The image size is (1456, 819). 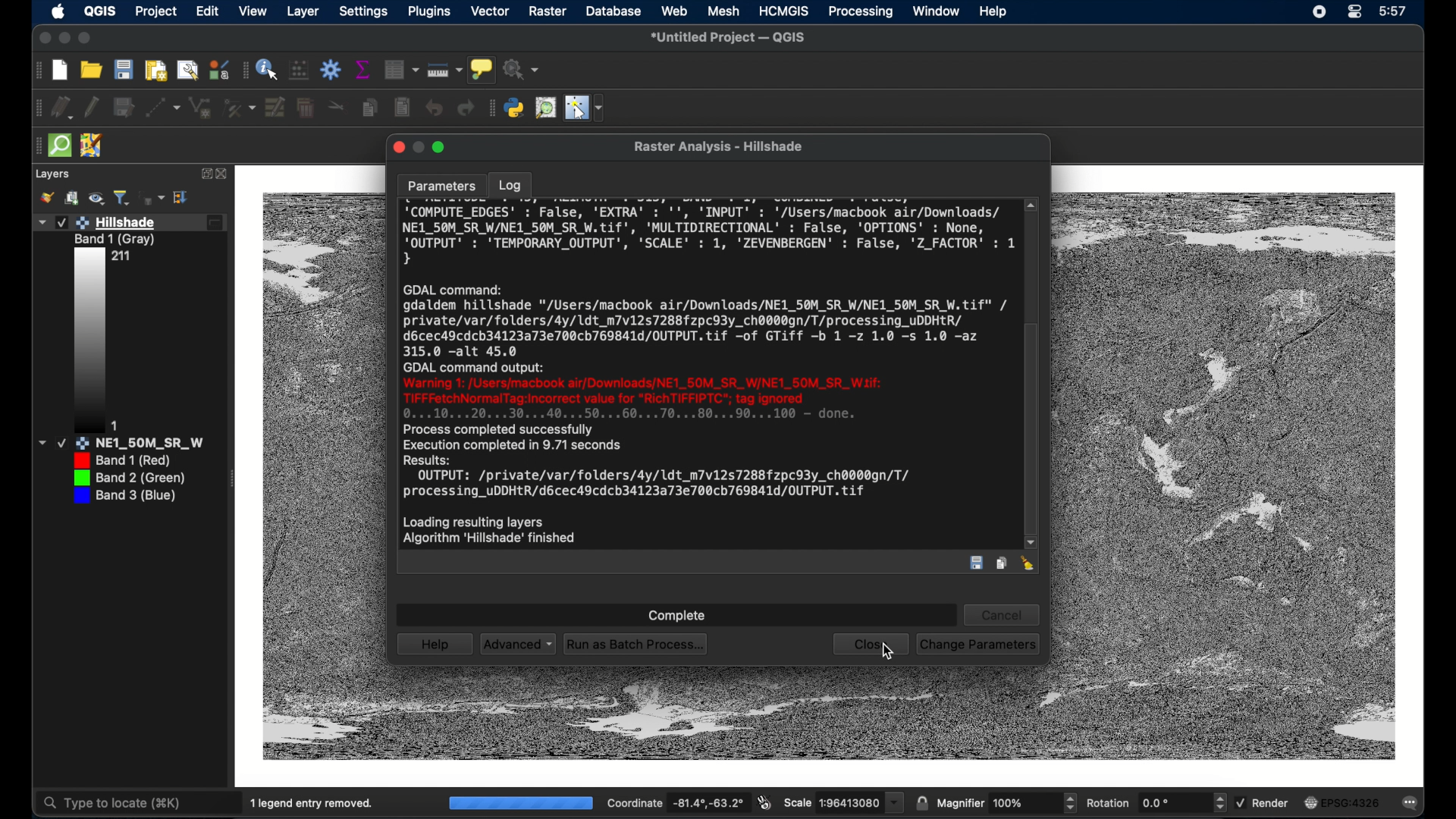 What do you see at coordinates (705, 374) in the screenshot?
I see `log entry` at bounding box center [705, 374].